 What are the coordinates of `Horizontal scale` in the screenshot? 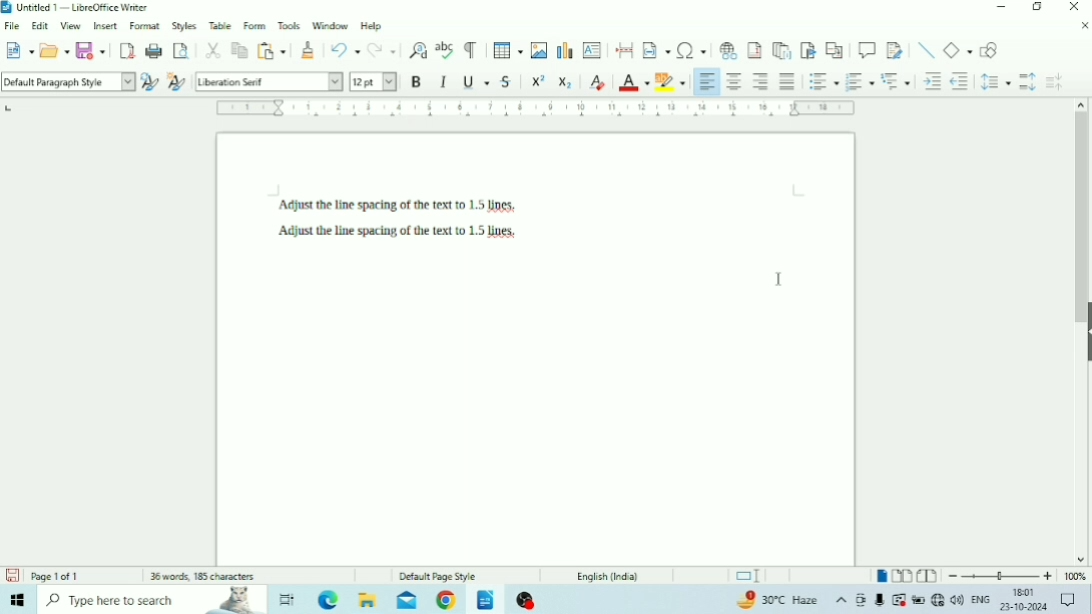 It's located at (535, 108).